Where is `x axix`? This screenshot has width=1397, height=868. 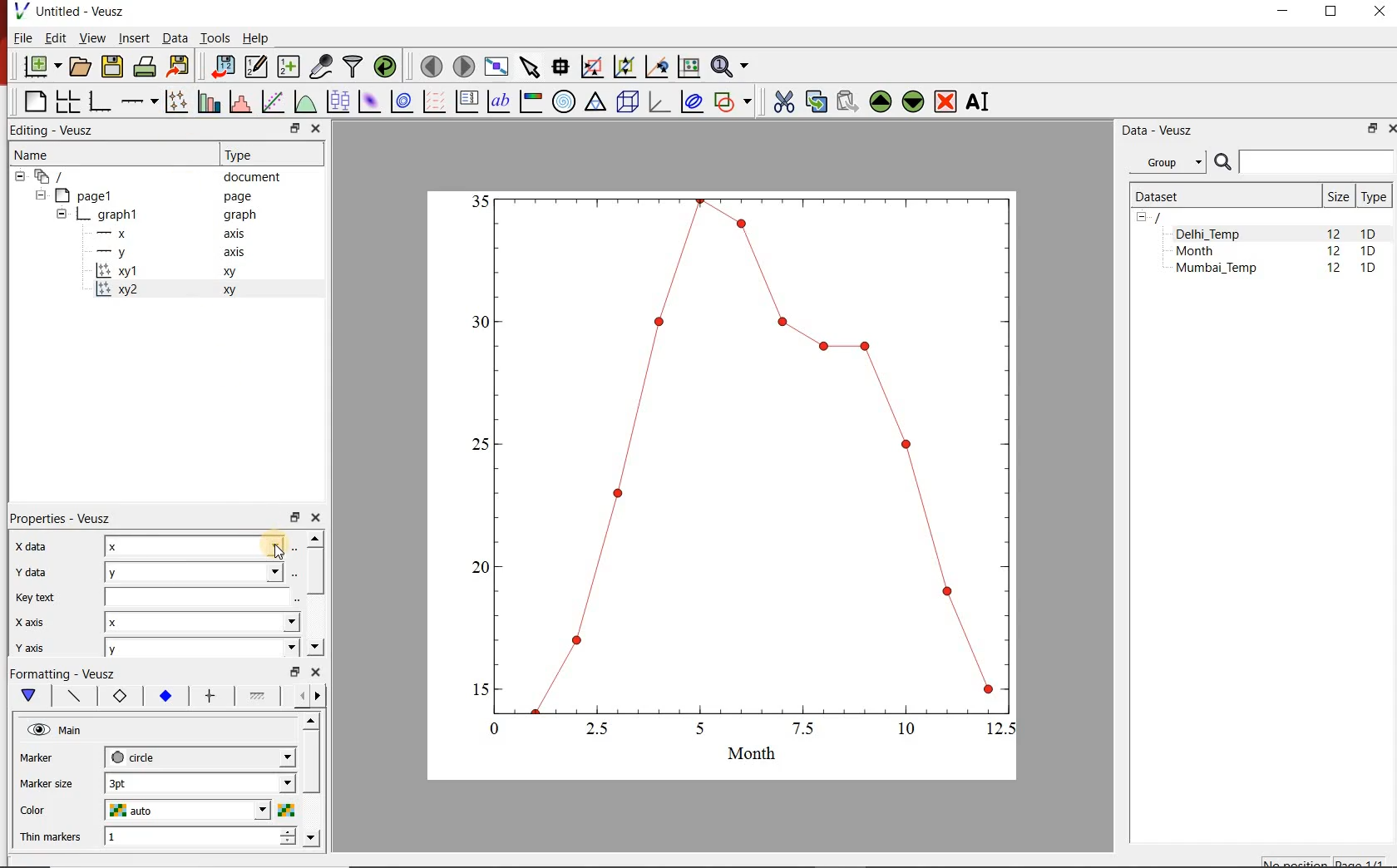 x axix is located at coordinates (26, 620).